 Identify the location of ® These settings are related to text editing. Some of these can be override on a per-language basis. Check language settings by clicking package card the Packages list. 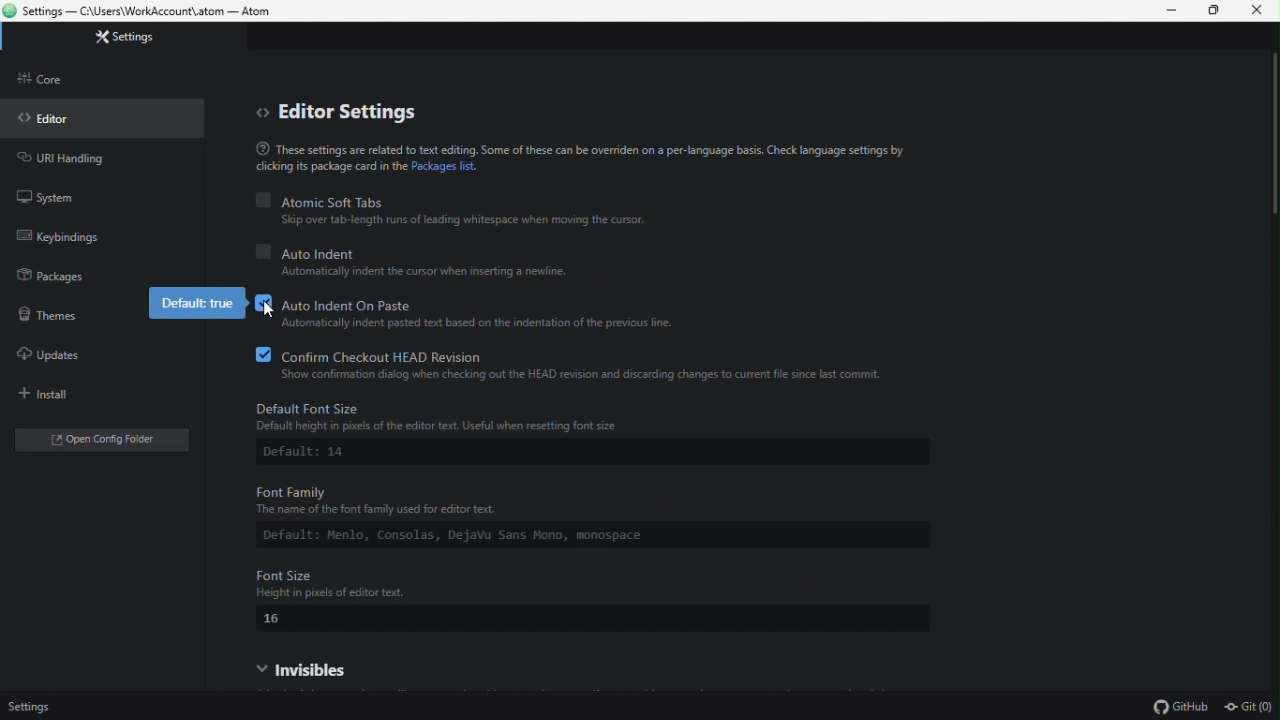
(588, 156).